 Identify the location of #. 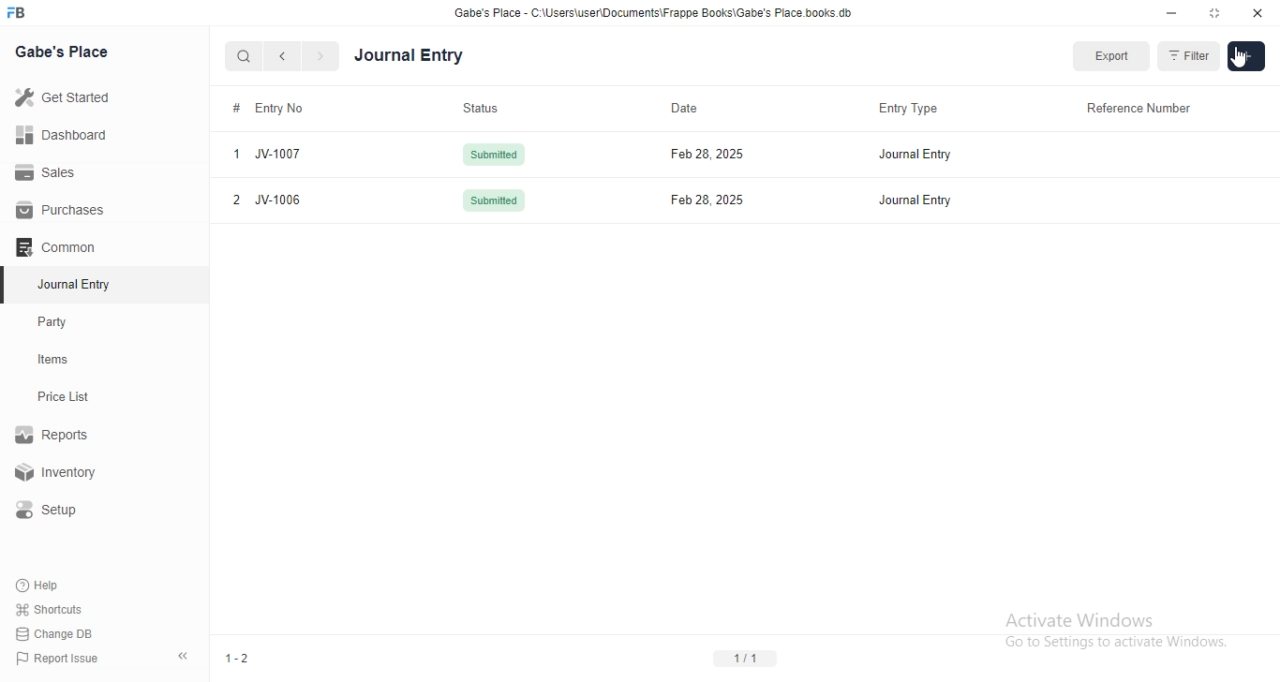
(234, 107).